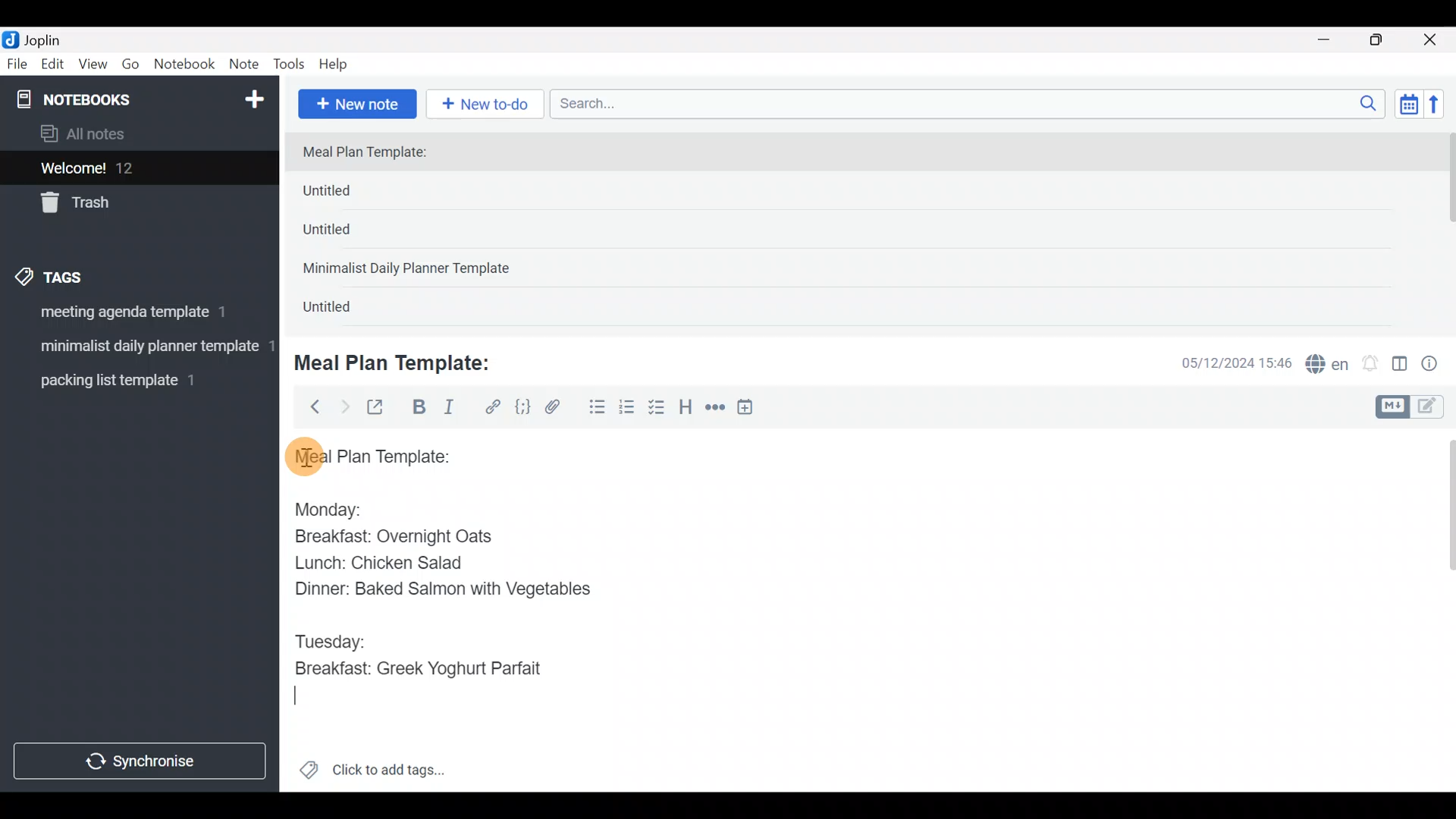 This screenshot has width=1456, height=819. What do you see at coordinates (411, 270) in the screenshot?
I see `Minimalist Daily Planner Template` at bounding box center [411, 270].